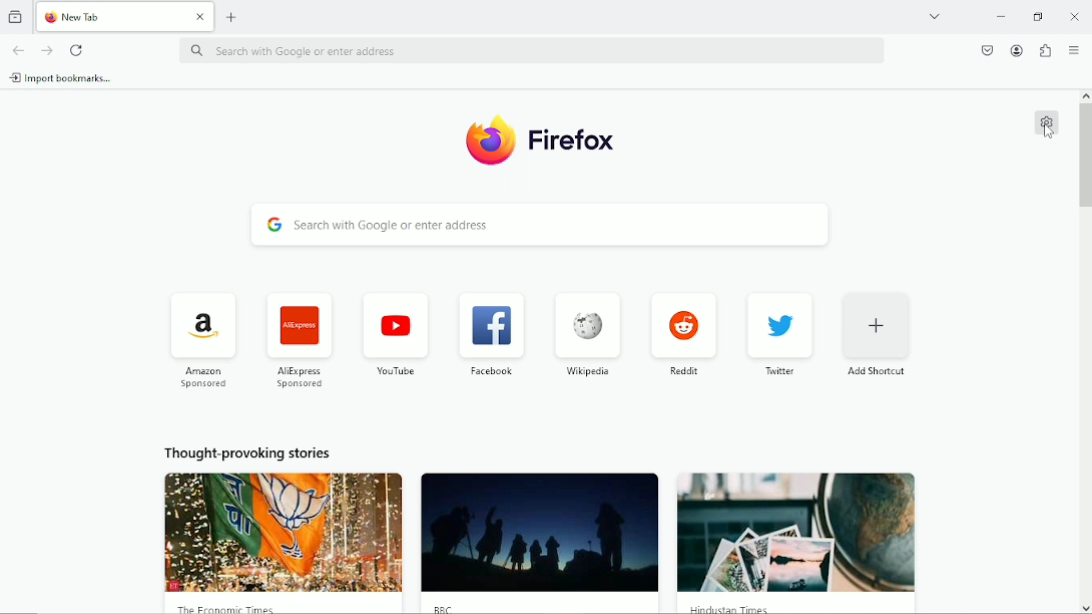 This screenshot has height=614, width=1092. I want to click on List all tabs, so click(934, 16).